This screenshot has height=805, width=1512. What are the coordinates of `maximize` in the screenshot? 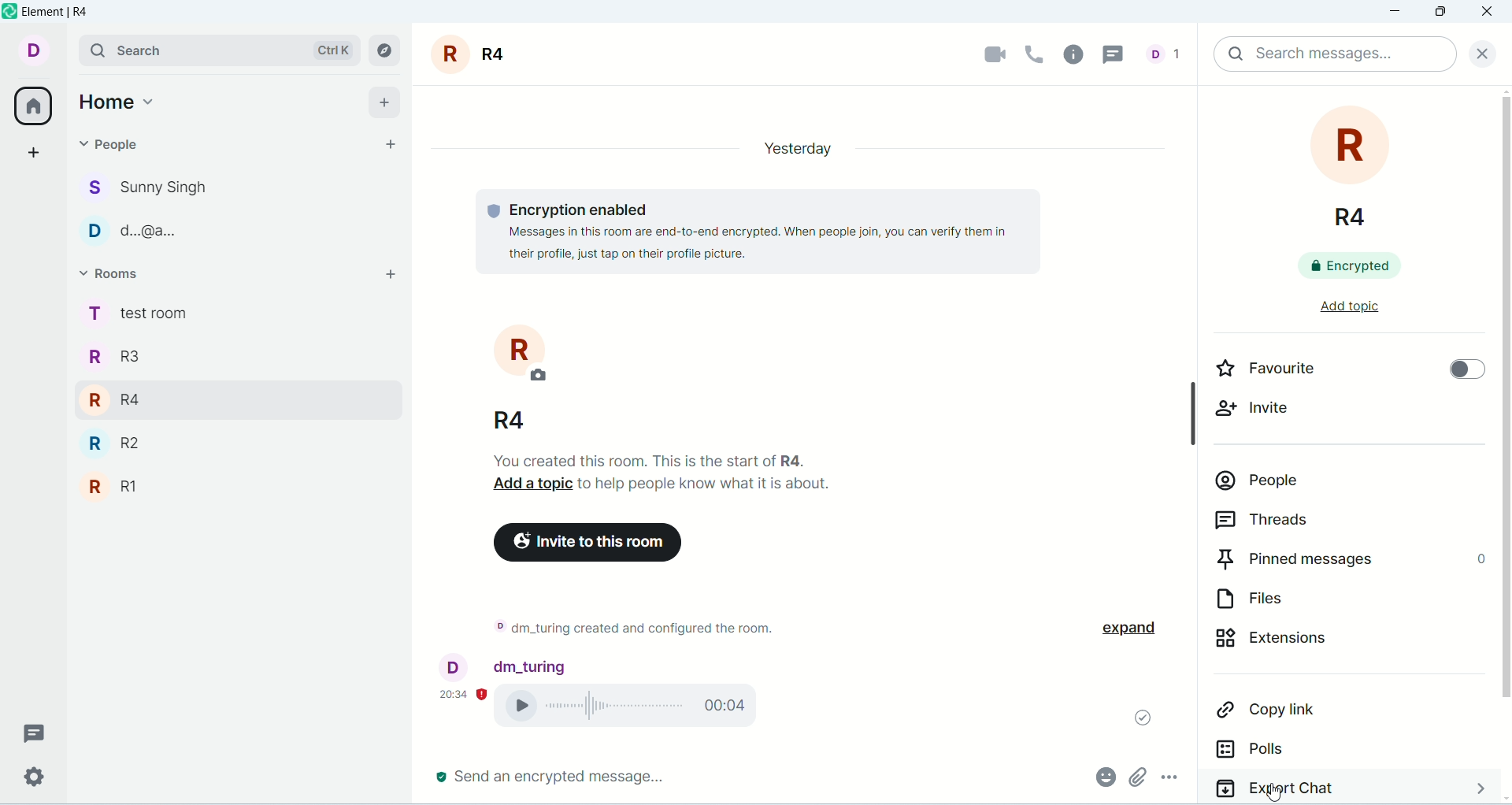 It's located at (1439, 14).